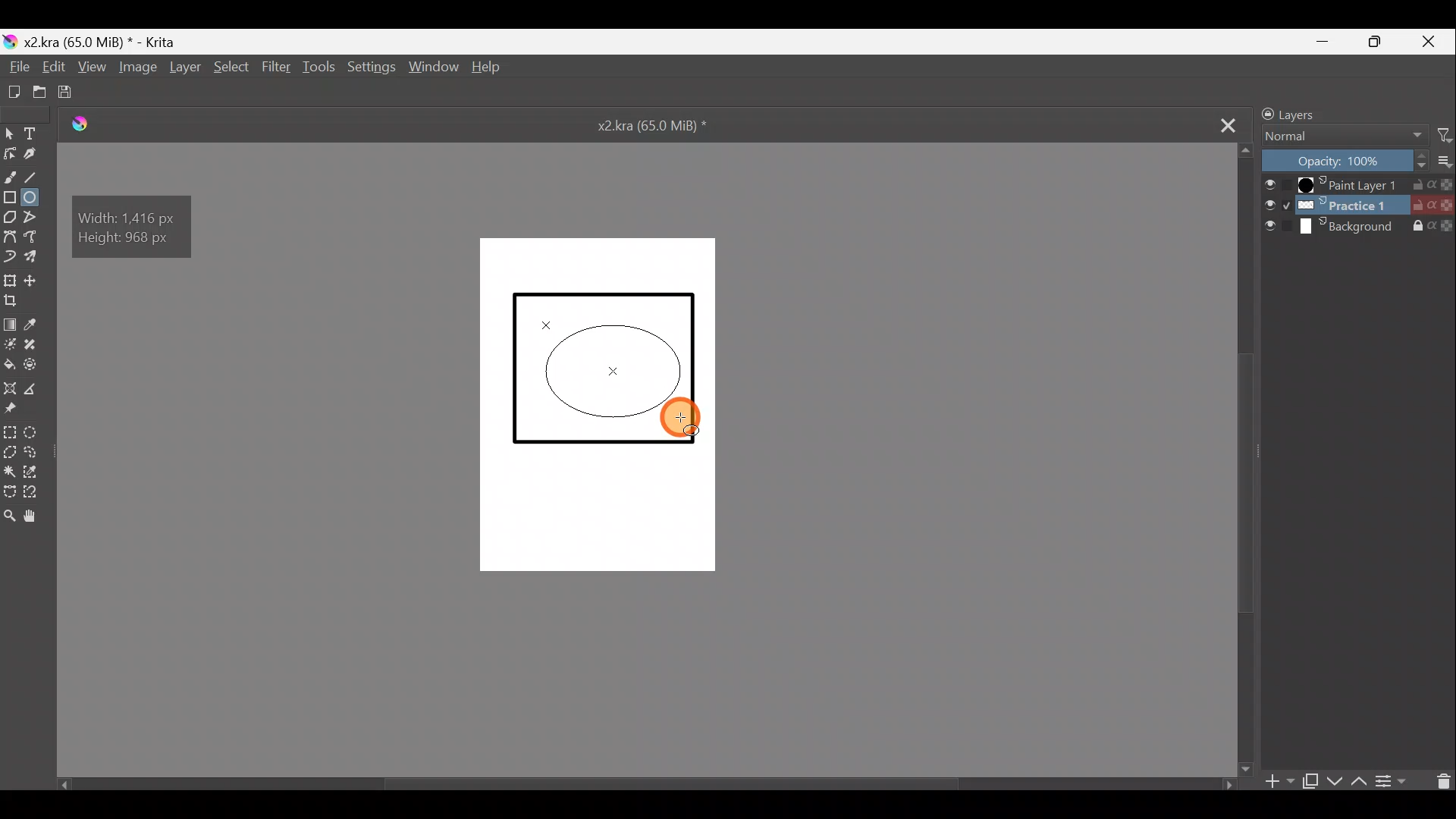 The image size is (1456, 819). I want to click on Delete layer, so click(1439, 782).